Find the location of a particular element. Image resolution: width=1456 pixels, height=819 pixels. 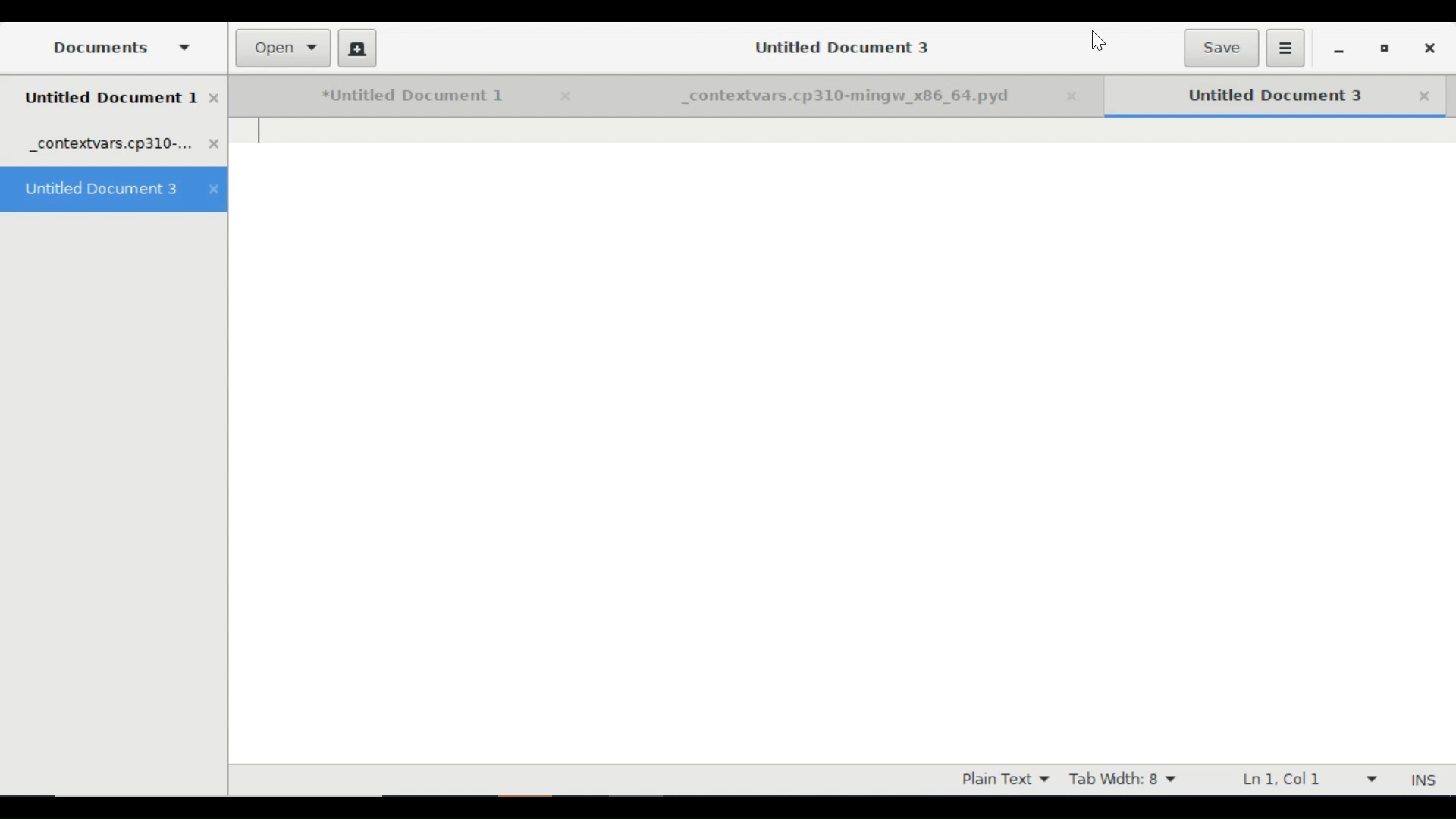

Text Entry Pane is located at coordinates (843, 441).